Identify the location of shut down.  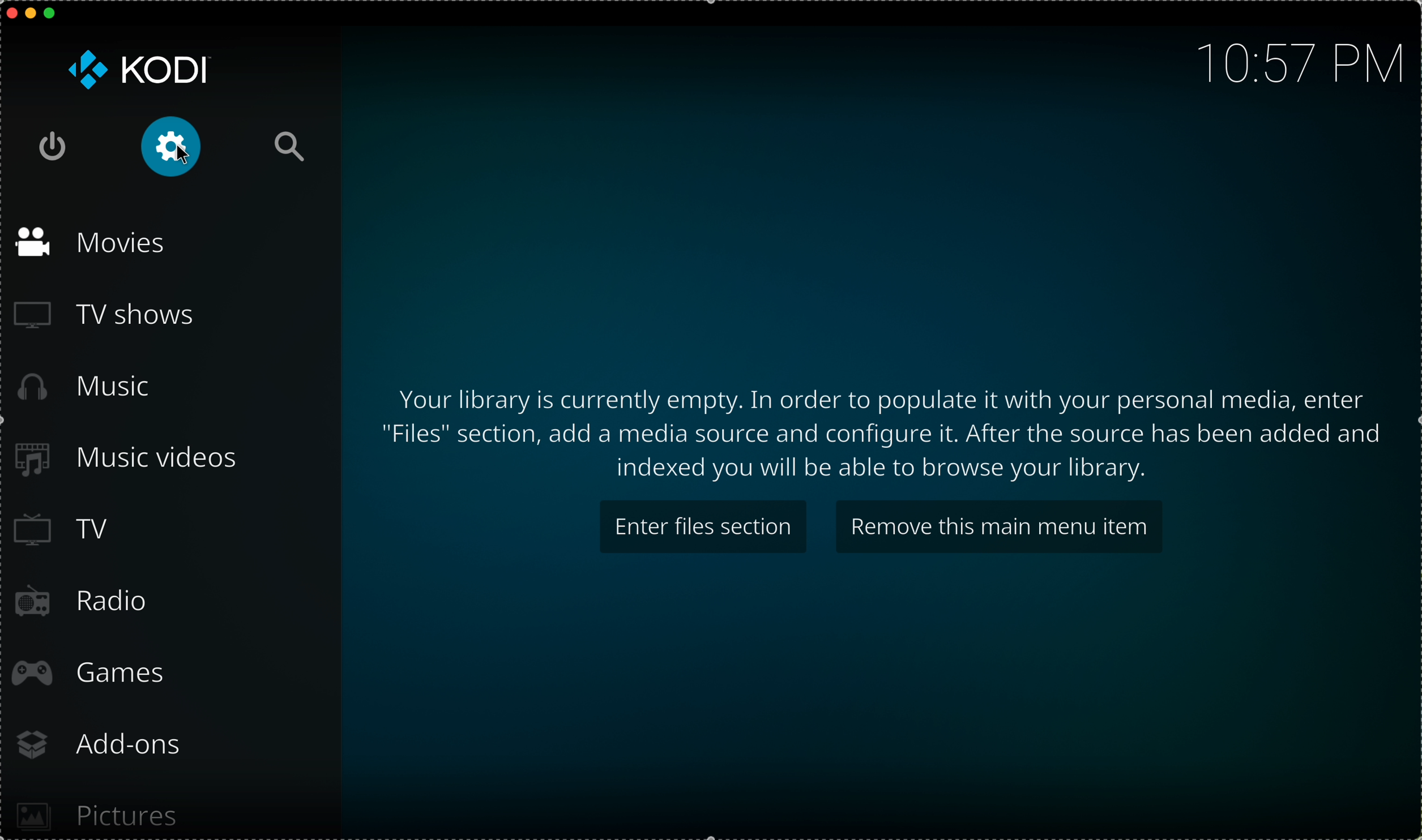
(58, 147).